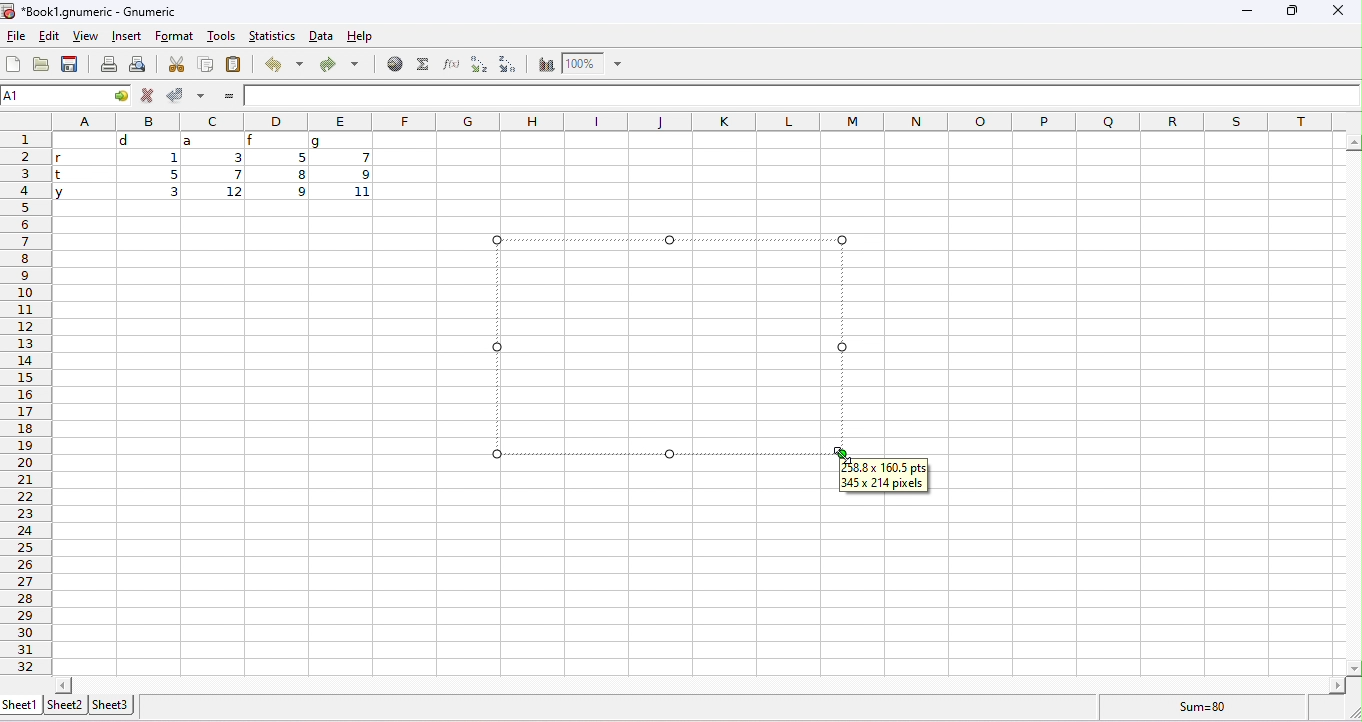 The width and height of the screenshot is (1362, 722). I want to click on cell options, so click(117, 96).